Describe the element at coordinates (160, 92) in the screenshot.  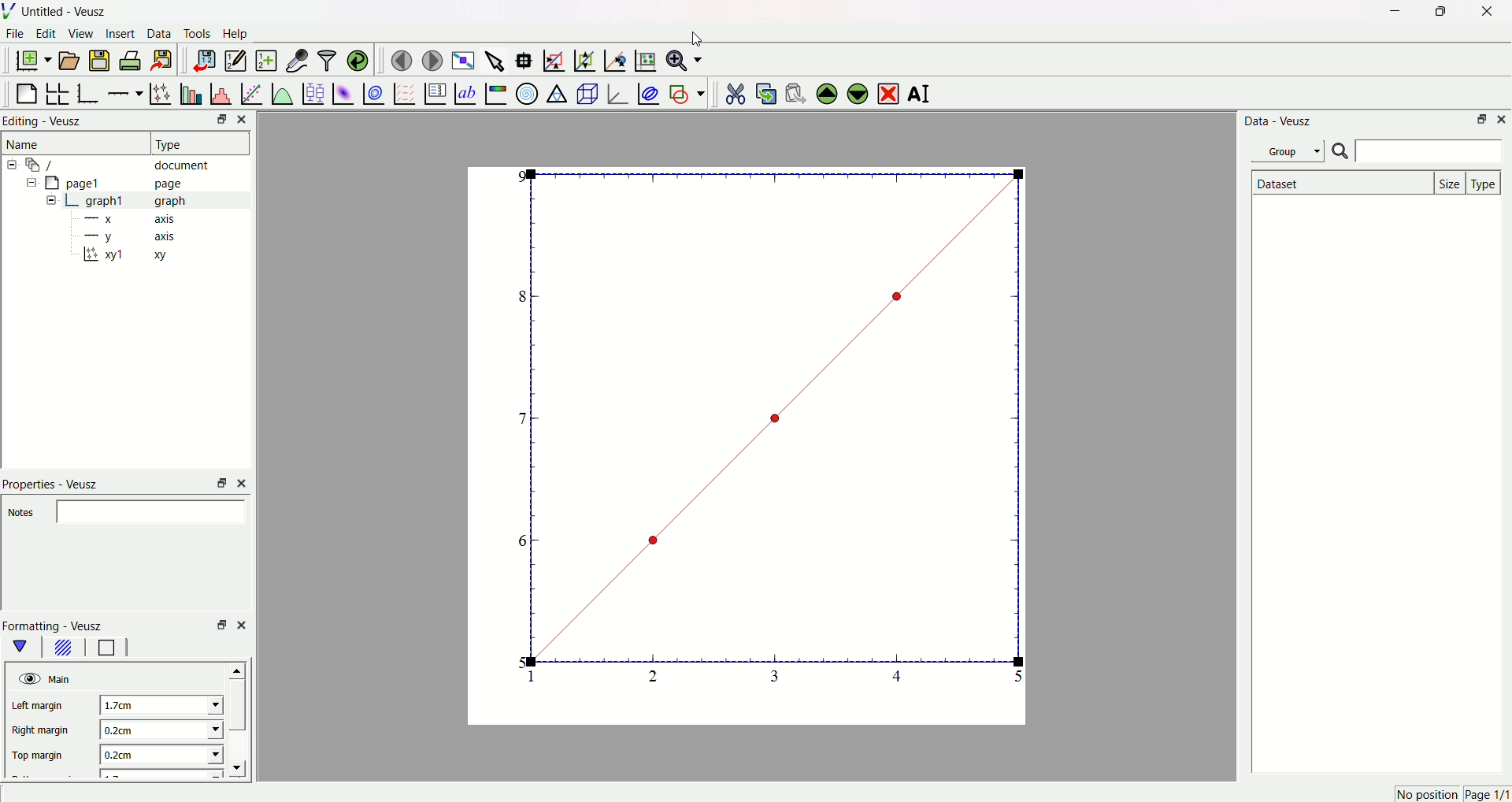
I see `lines and error bars` at that location.